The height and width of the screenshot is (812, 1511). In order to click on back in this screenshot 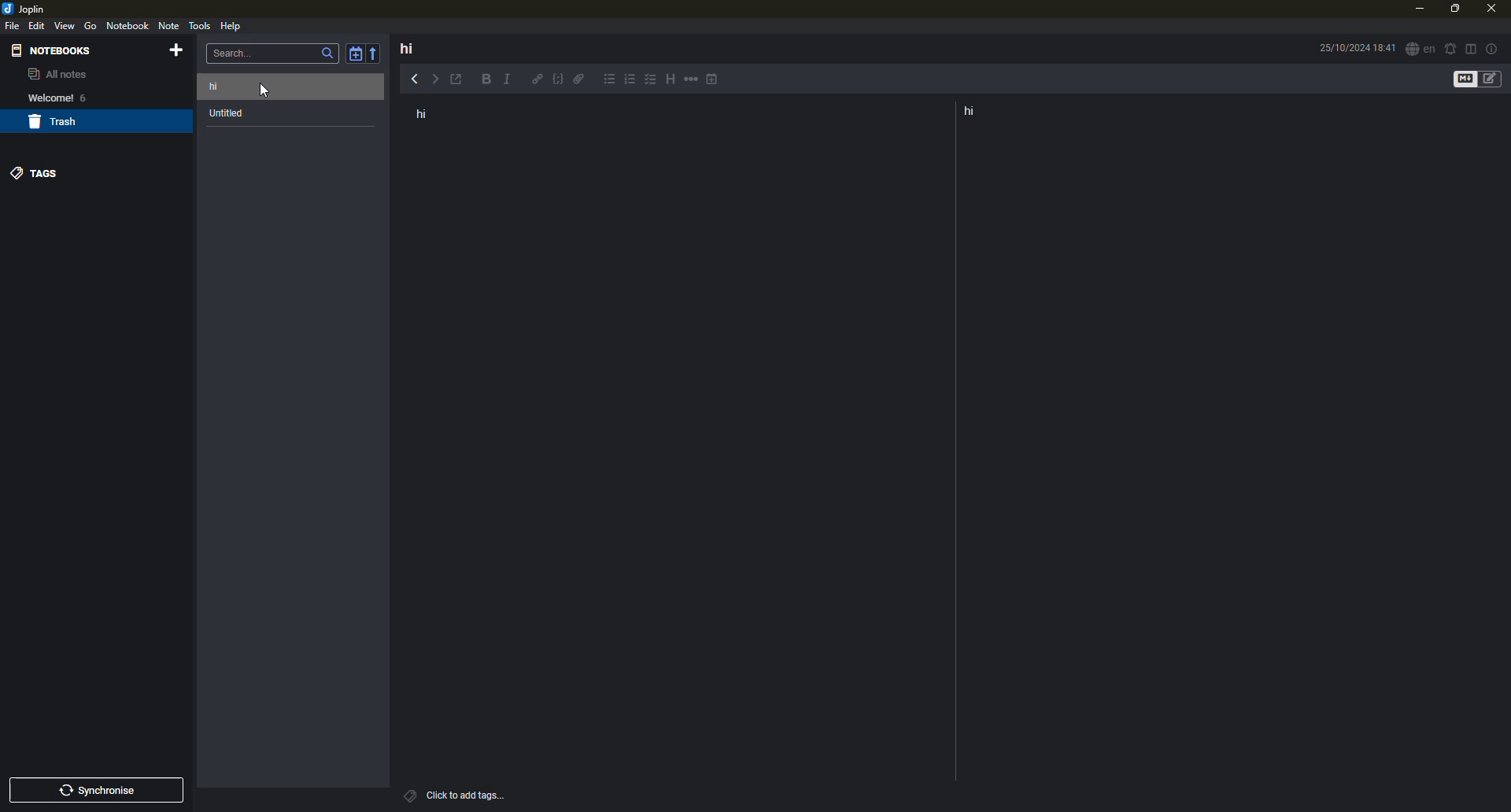, I will do `click(413, 78)`.